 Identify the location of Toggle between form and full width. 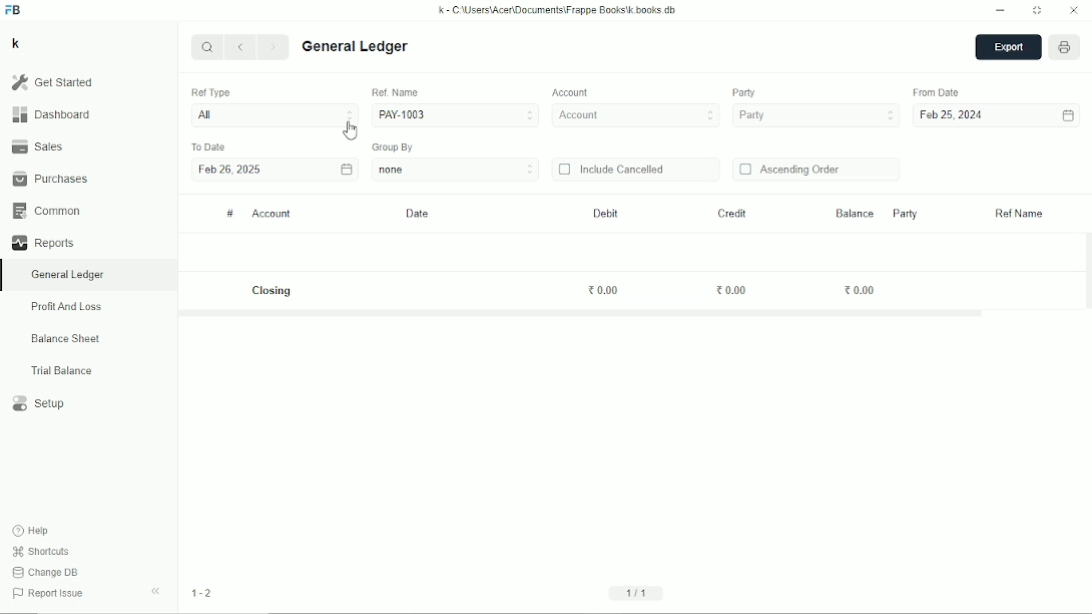
(1037, 11).